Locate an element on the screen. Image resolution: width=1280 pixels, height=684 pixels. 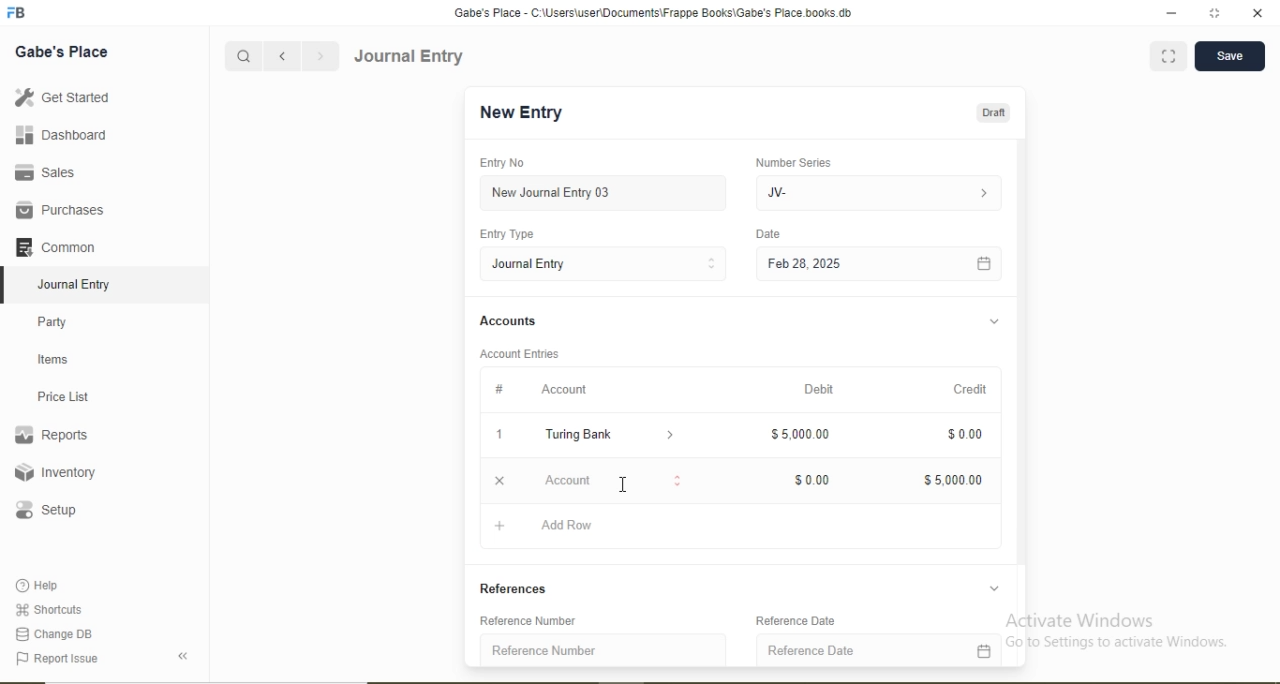
Calendar is located at coordinates (983, 651).